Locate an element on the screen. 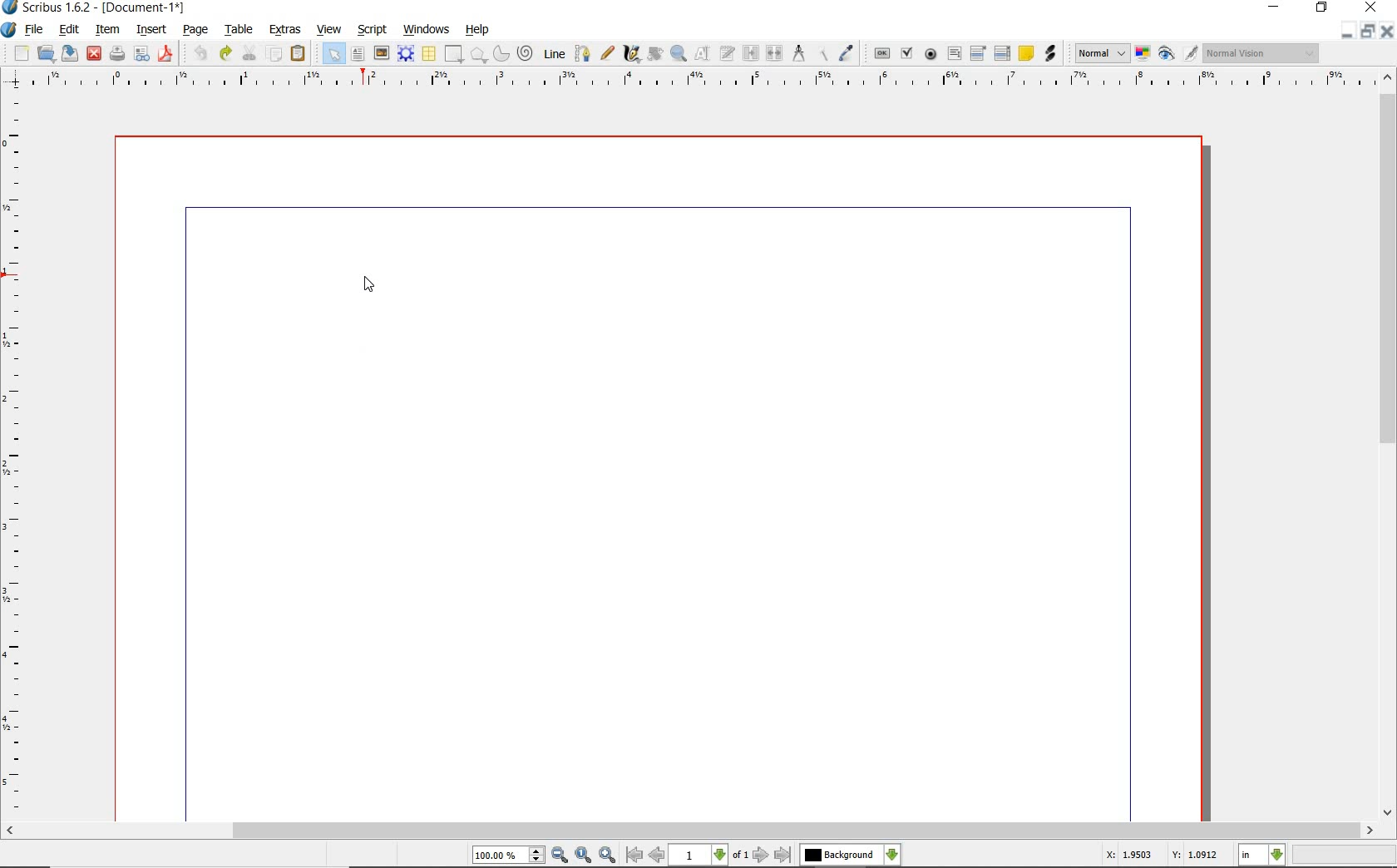 The width and height of the screenshot is (1397, 868). text frame is located at coordinates (358, 56).